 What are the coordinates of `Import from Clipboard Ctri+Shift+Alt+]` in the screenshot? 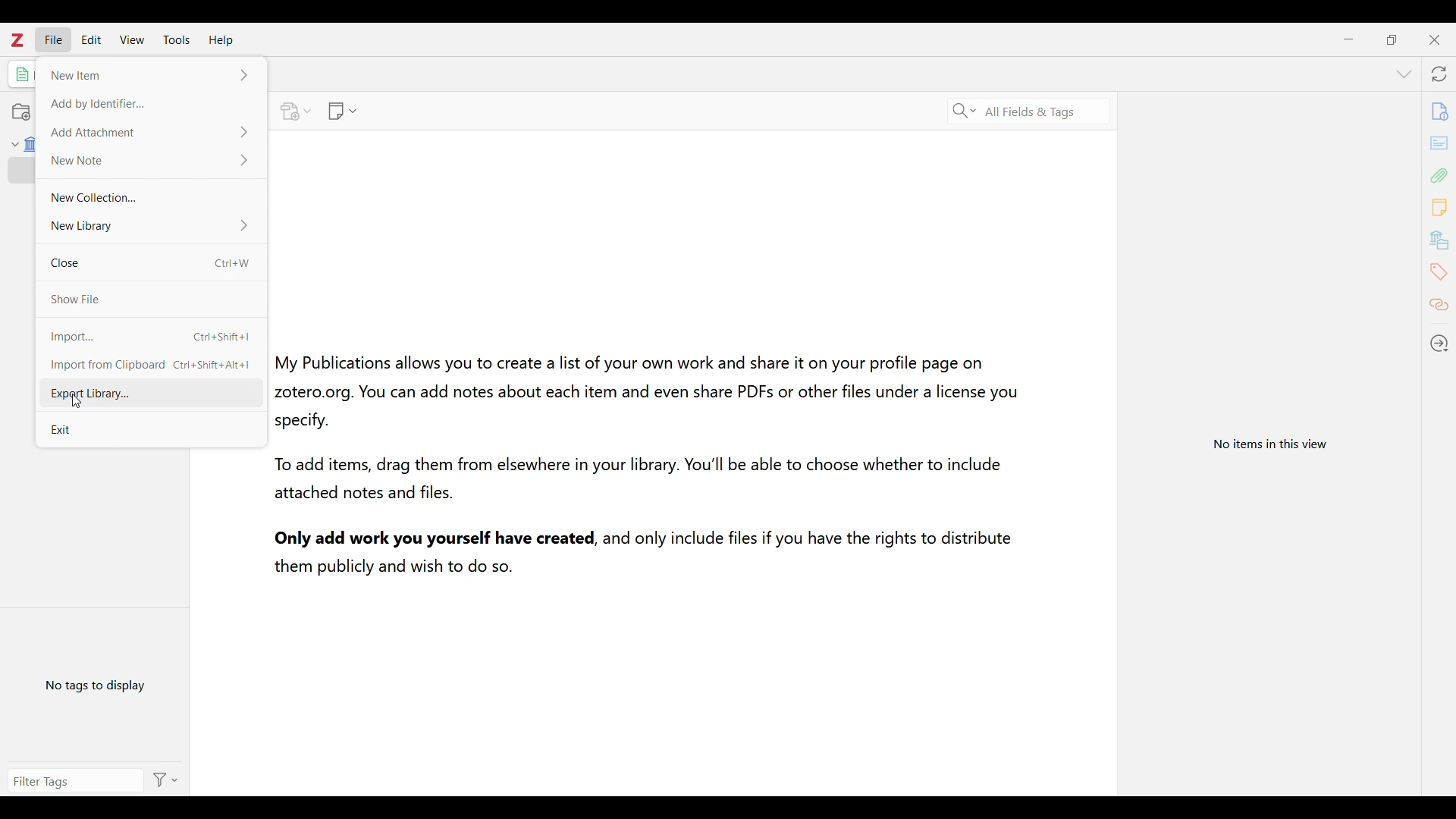 It's located at (146, 364).